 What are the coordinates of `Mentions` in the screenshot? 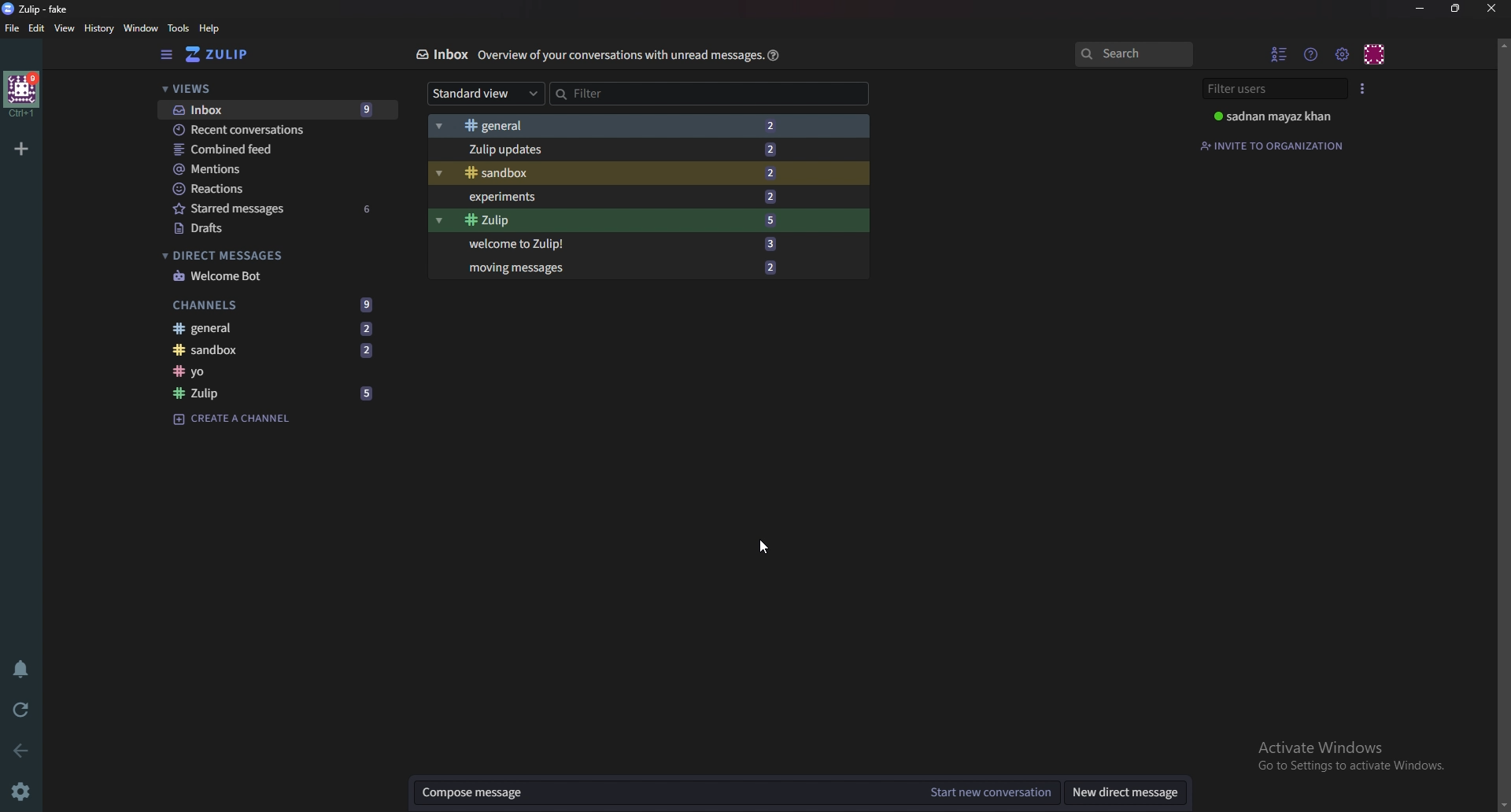 It's located at (274, 170).